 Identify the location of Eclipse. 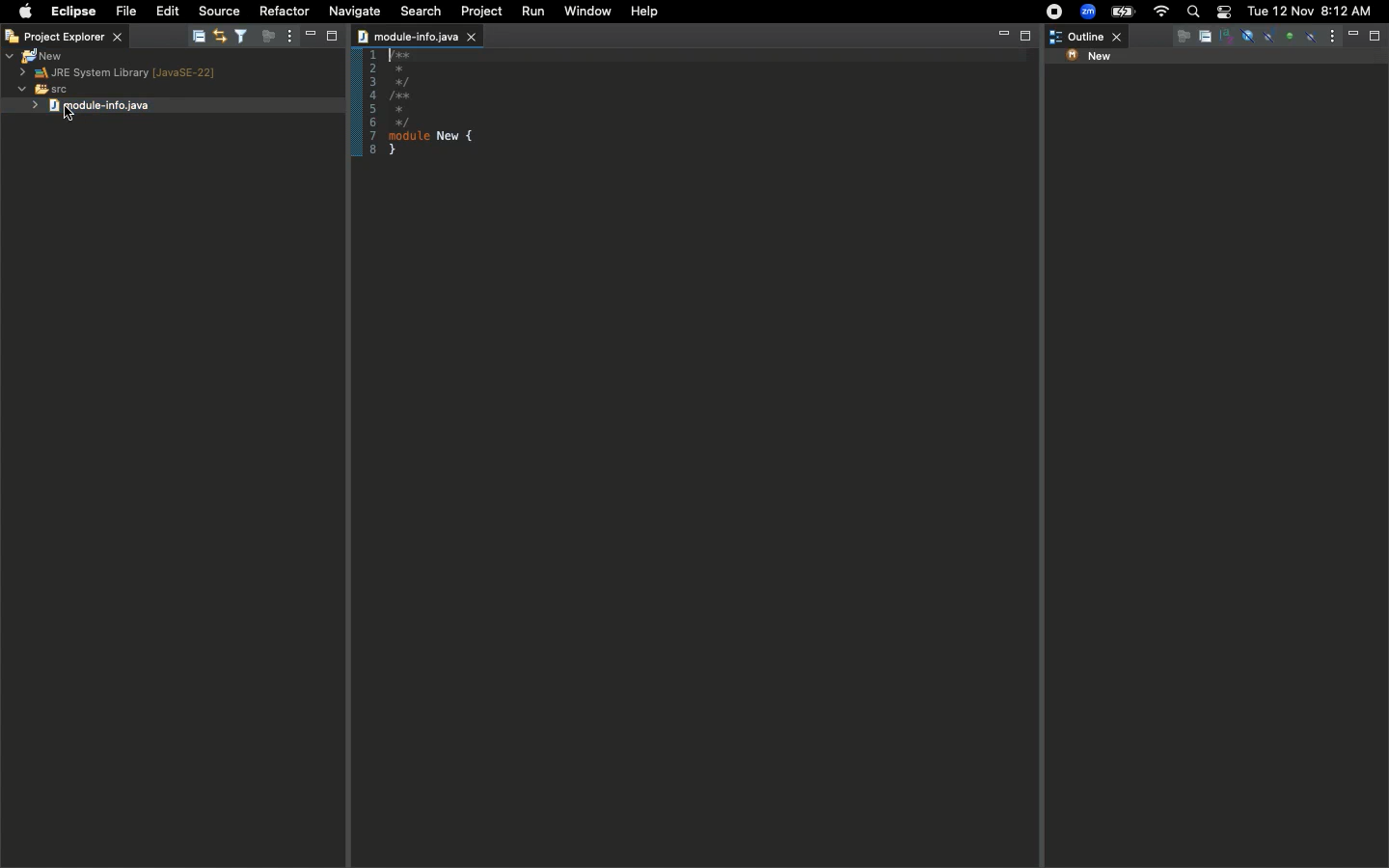
(73, 13).